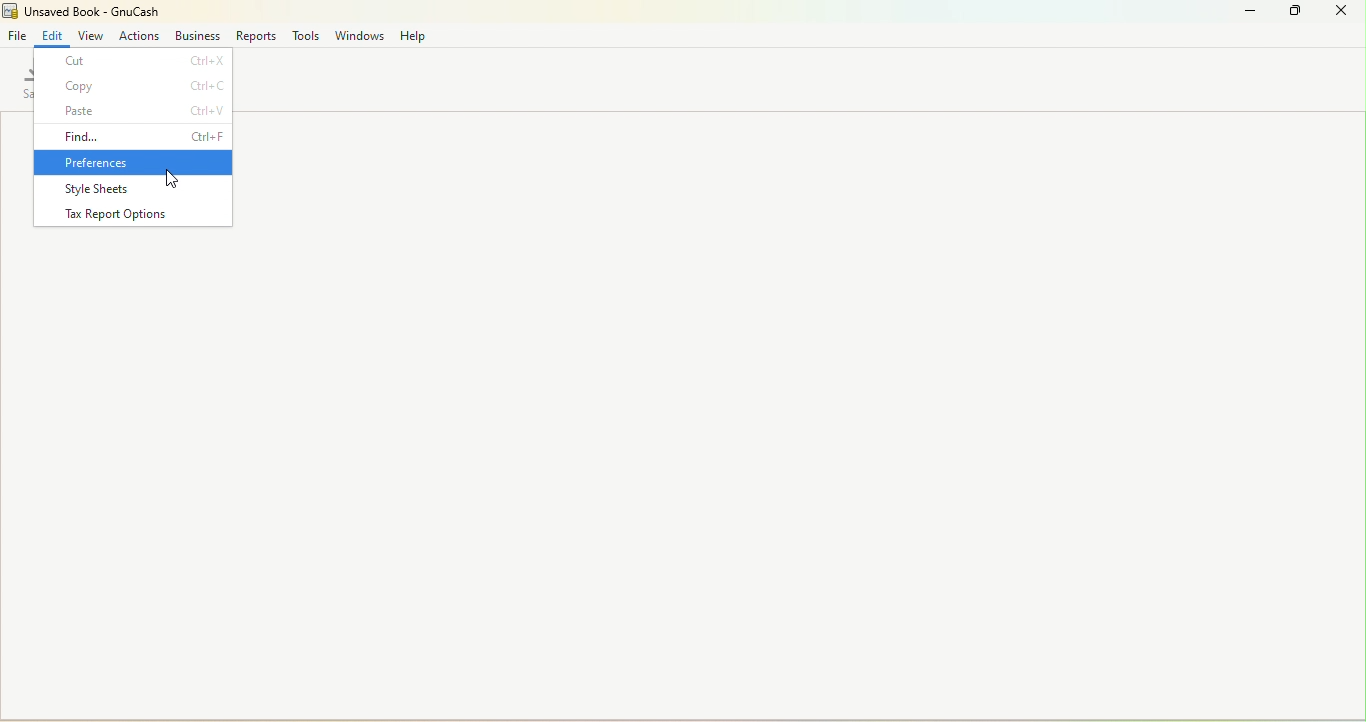 This screenshot has width=1366, height=722. What do you see at coordinates (1340, 11) in the screenshot?
I see `close` at bounding box center [1340, 11].